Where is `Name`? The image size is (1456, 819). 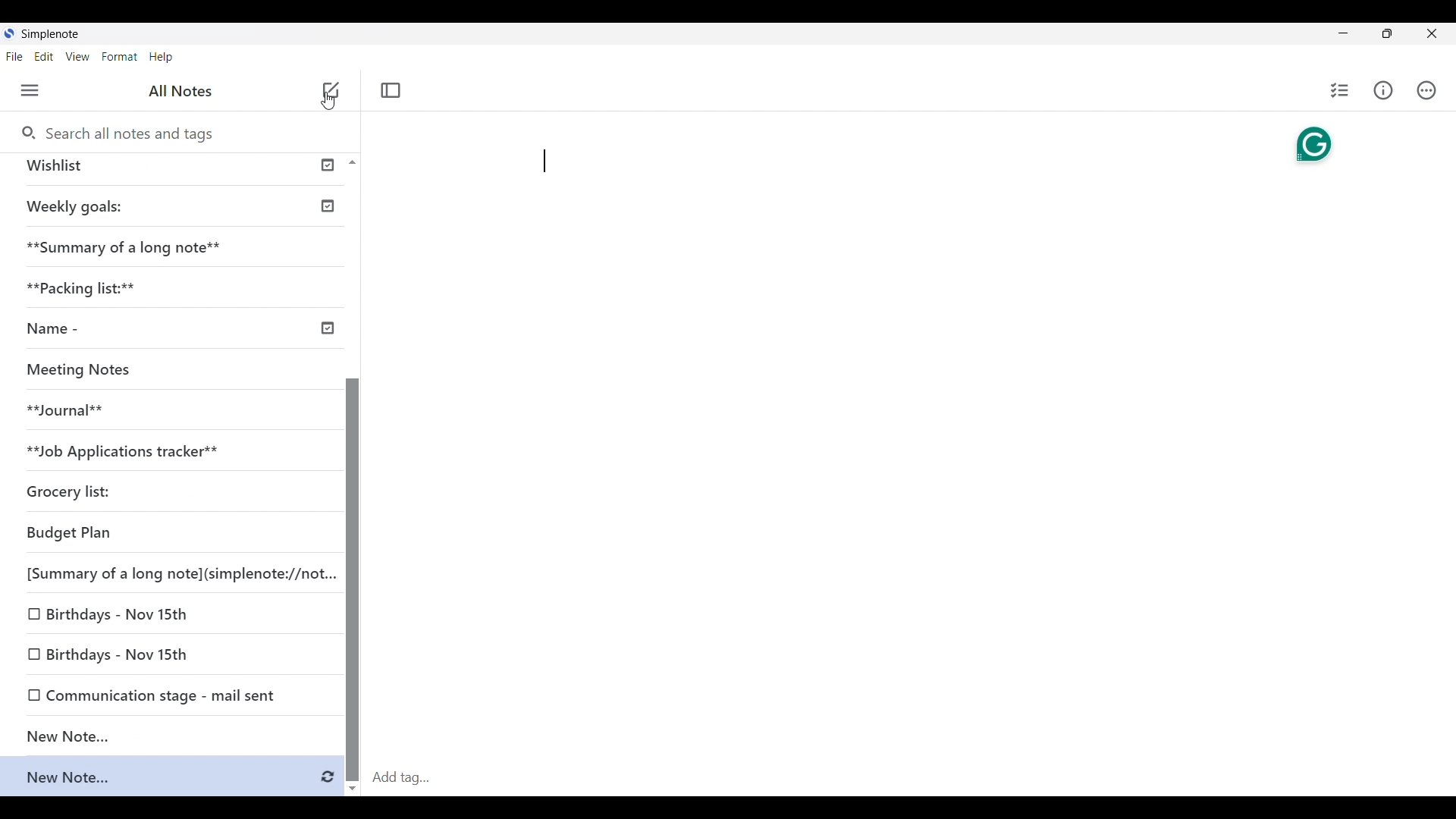
Name is located at coordinates (49, 329).